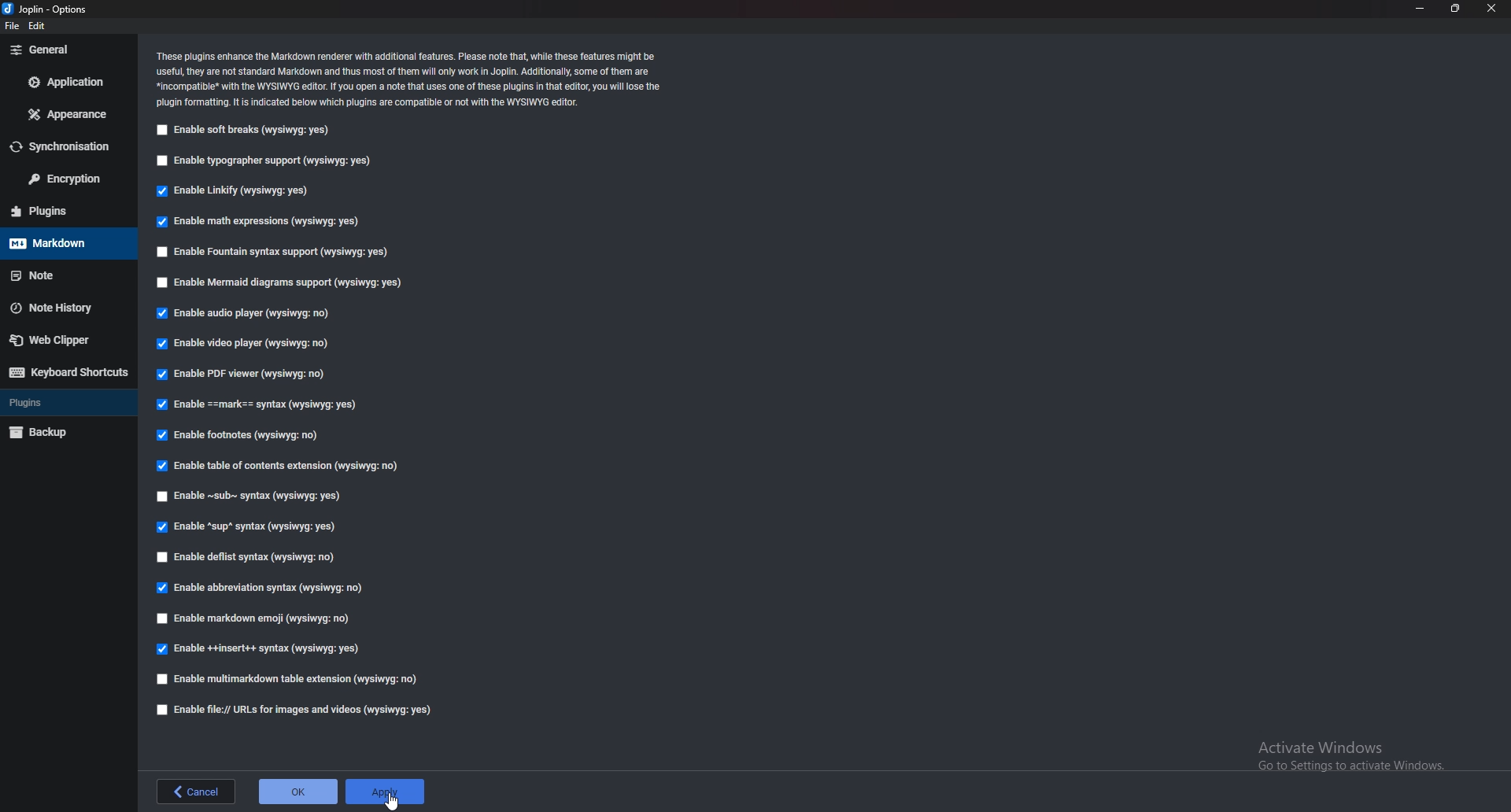 The height and width of the screenshot is (812, 1511). I want to click on Info, so click(419, 79).